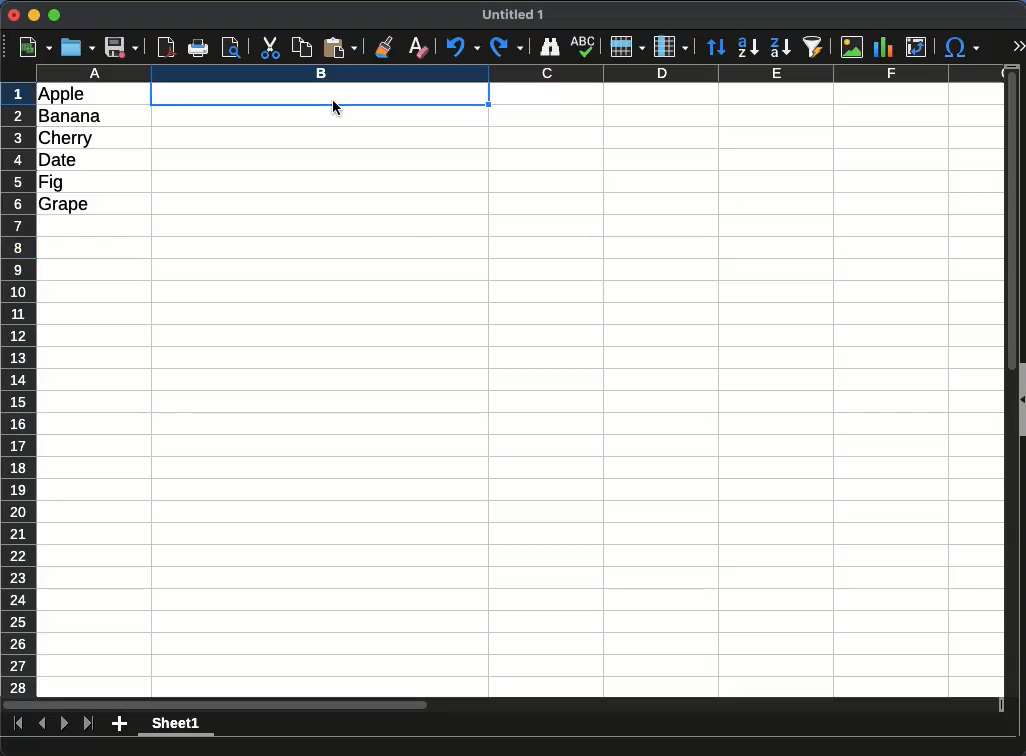 Image resolution: width=1026 pixels, height=756 pixels. What do you see at coordinates (232, 48) in the screenshot?
I see `print preview` at bounding box center [232, 48].